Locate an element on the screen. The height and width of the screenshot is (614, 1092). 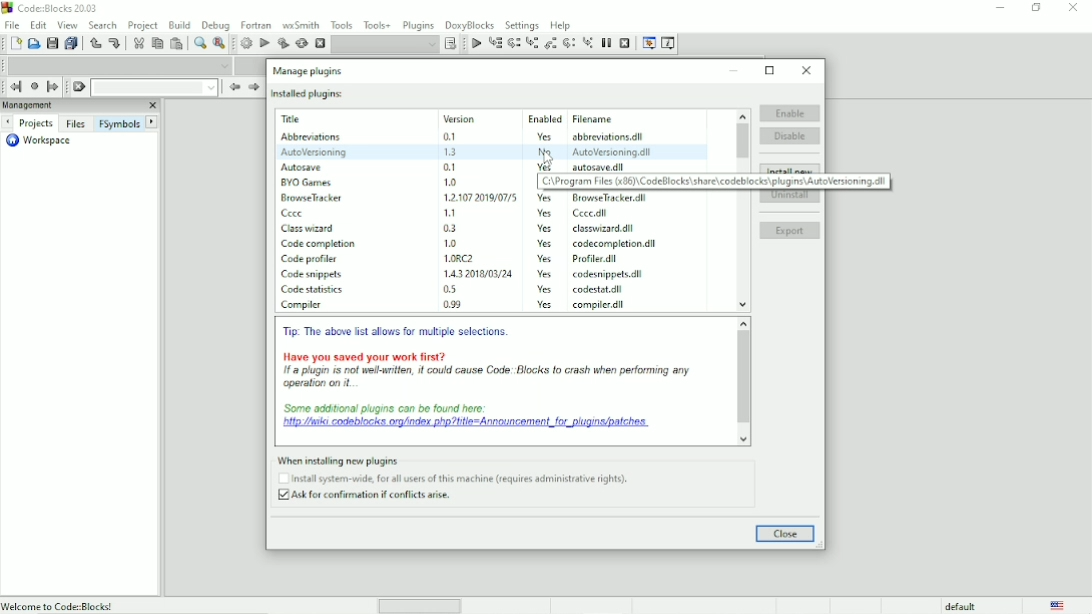
plugin is located at coordinates (311, 197).